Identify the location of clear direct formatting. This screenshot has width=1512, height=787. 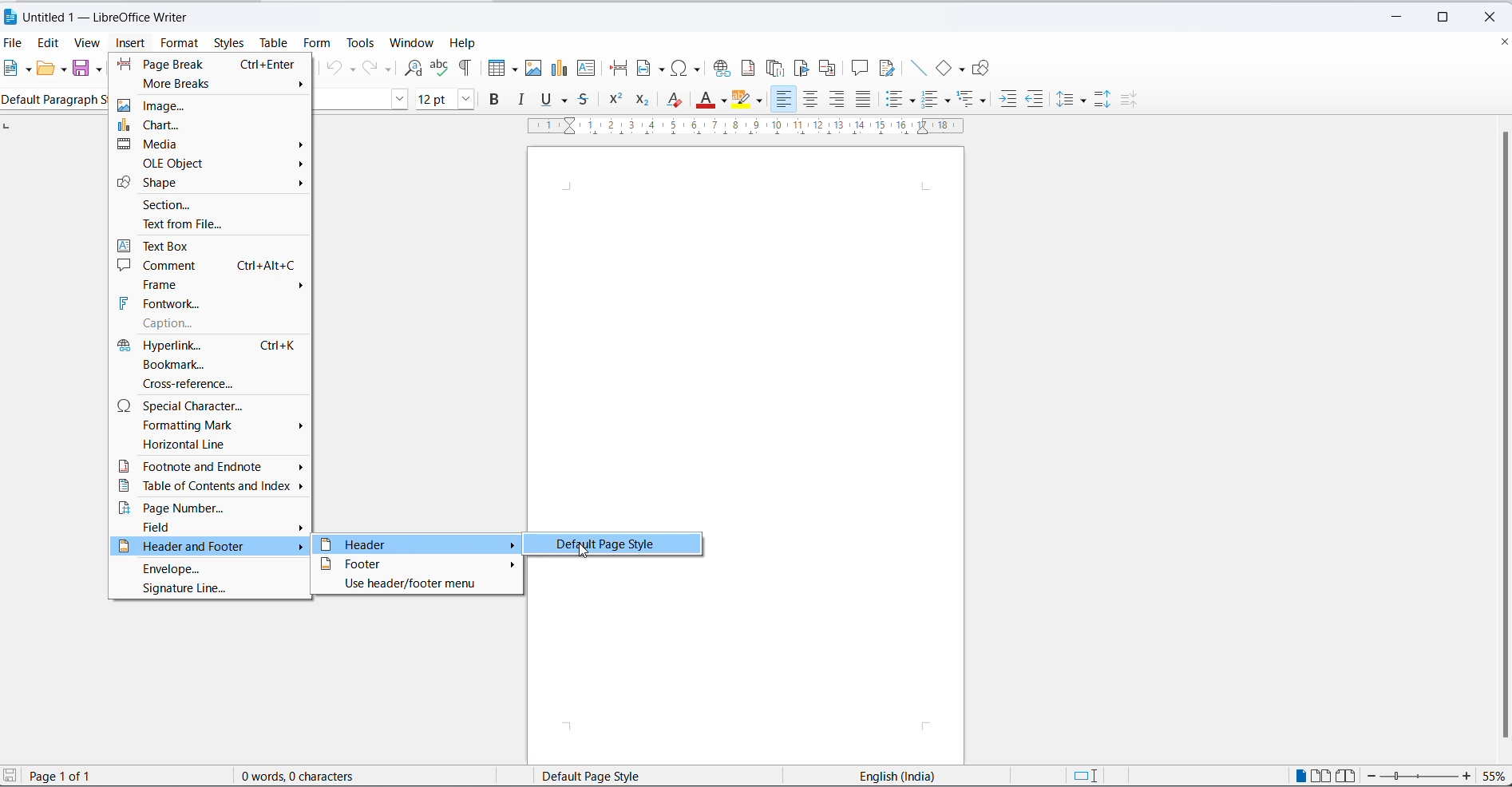
(675, 99).